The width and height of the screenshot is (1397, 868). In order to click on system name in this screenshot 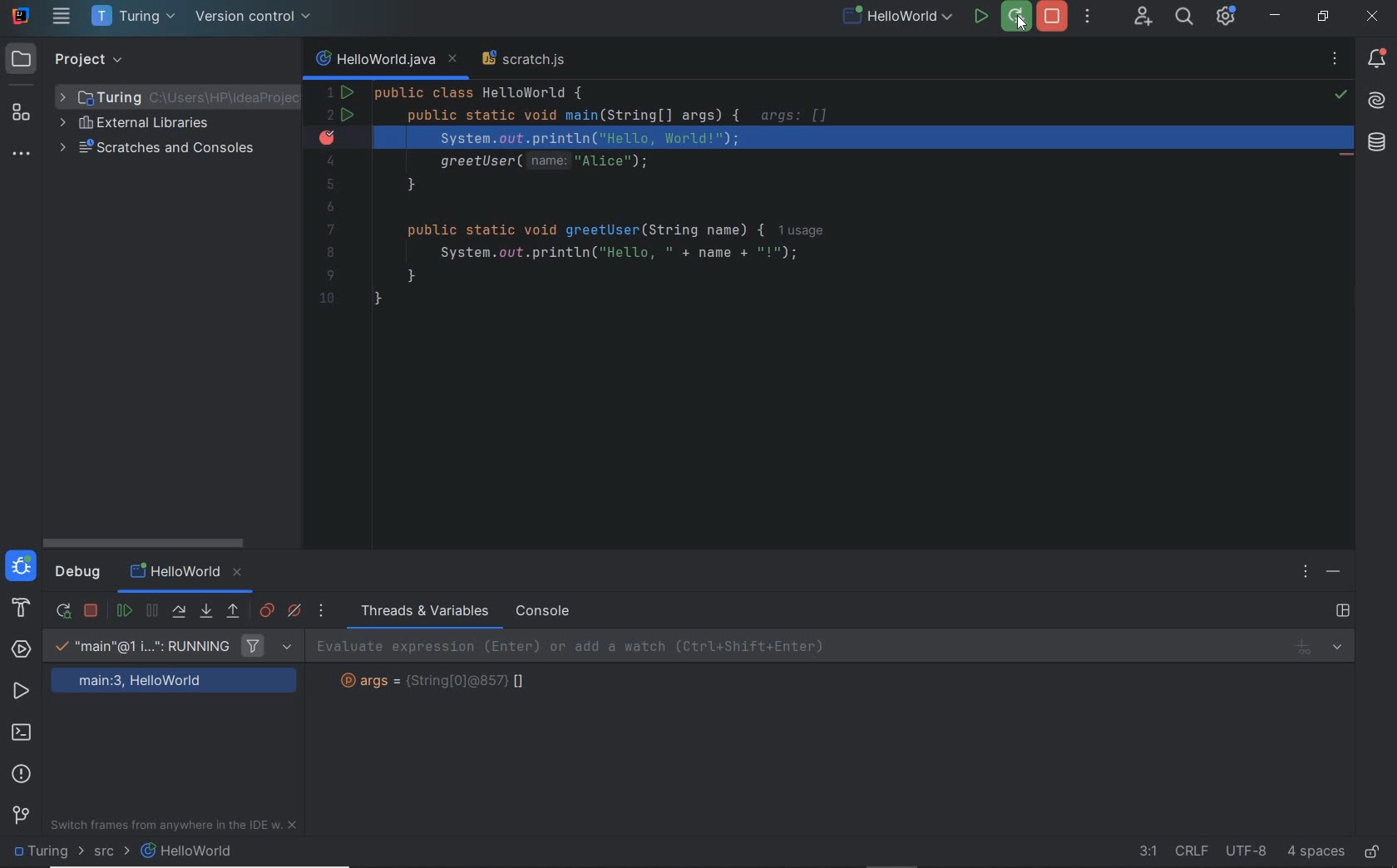, I will do `click(21, 16)`.